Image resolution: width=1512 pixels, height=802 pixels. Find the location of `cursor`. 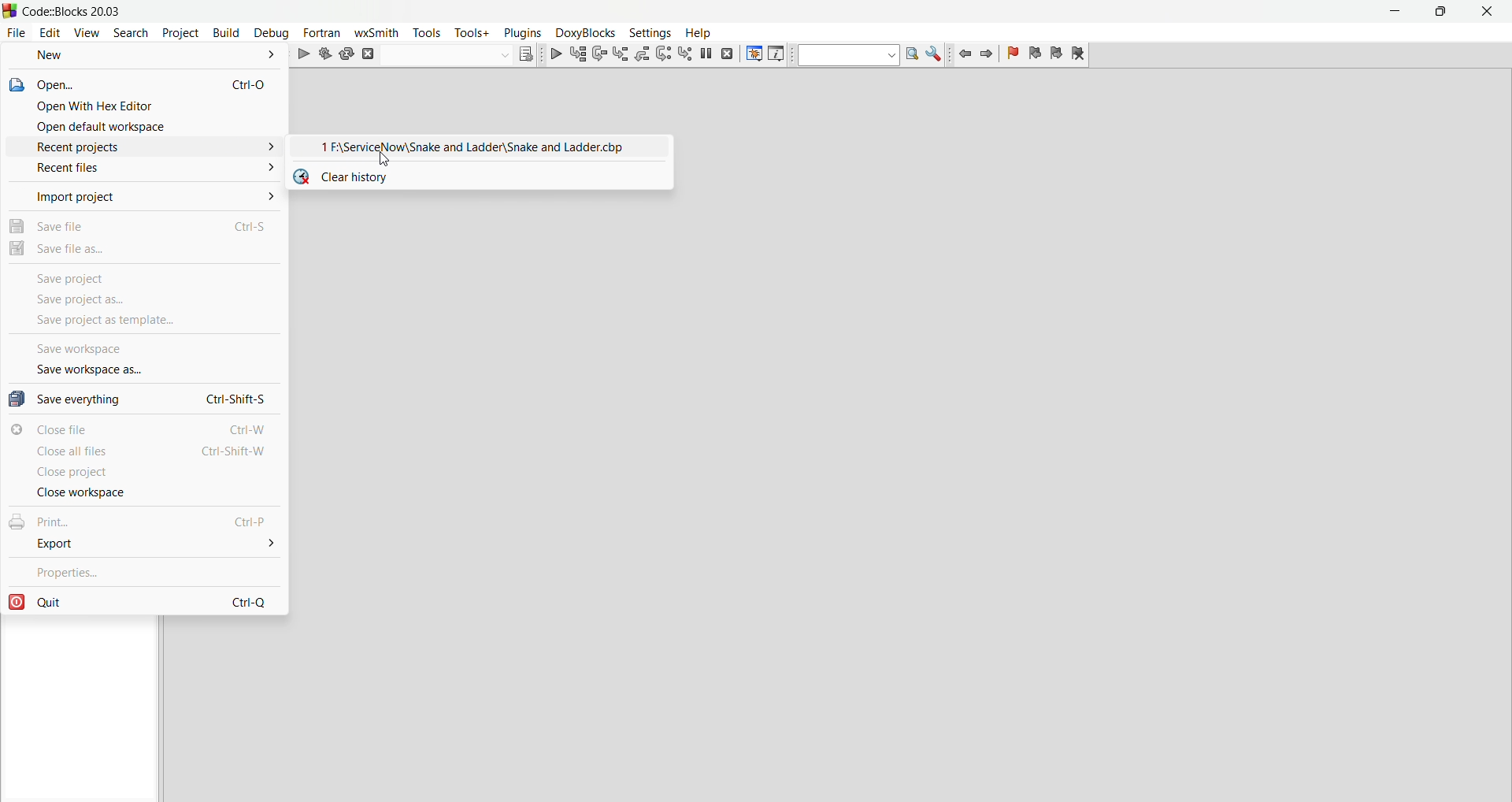

cursor is located at coordinates (388, 158).